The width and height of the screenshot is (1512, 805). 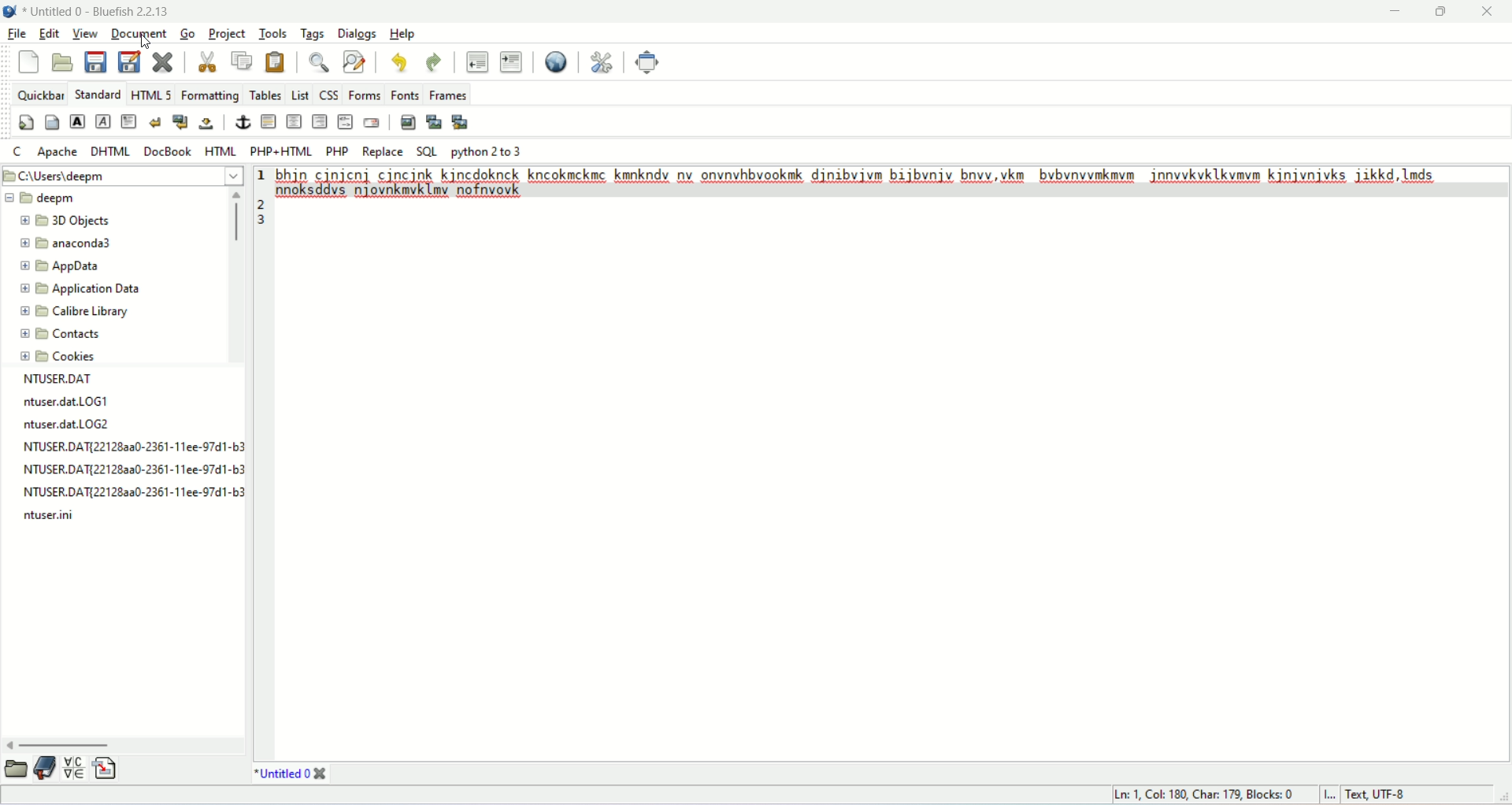 I want to click on file name, so click(x=132, y=446).